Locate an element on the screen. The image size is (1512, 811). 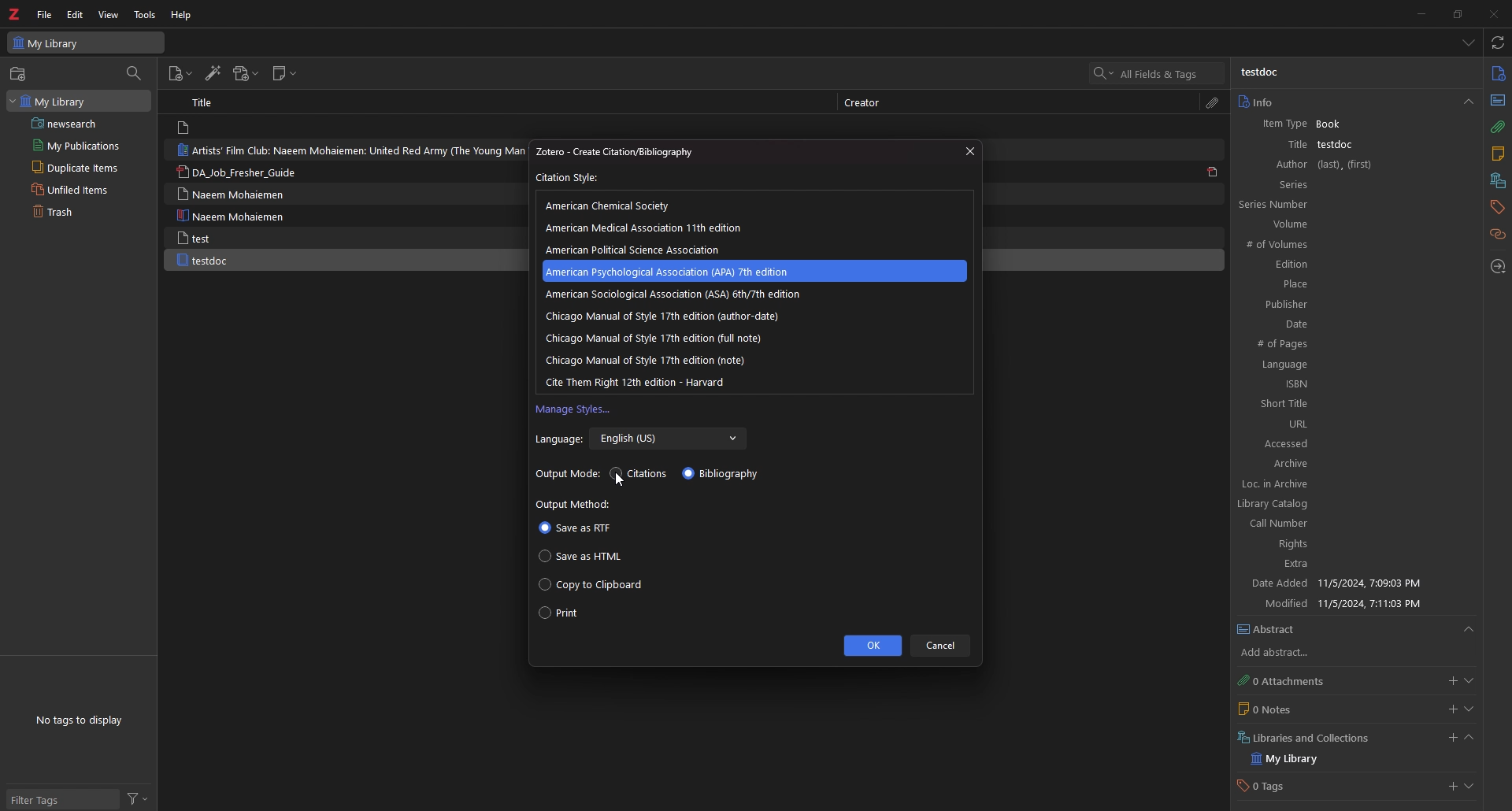
ISBN is located at coordinates (1351, 384).